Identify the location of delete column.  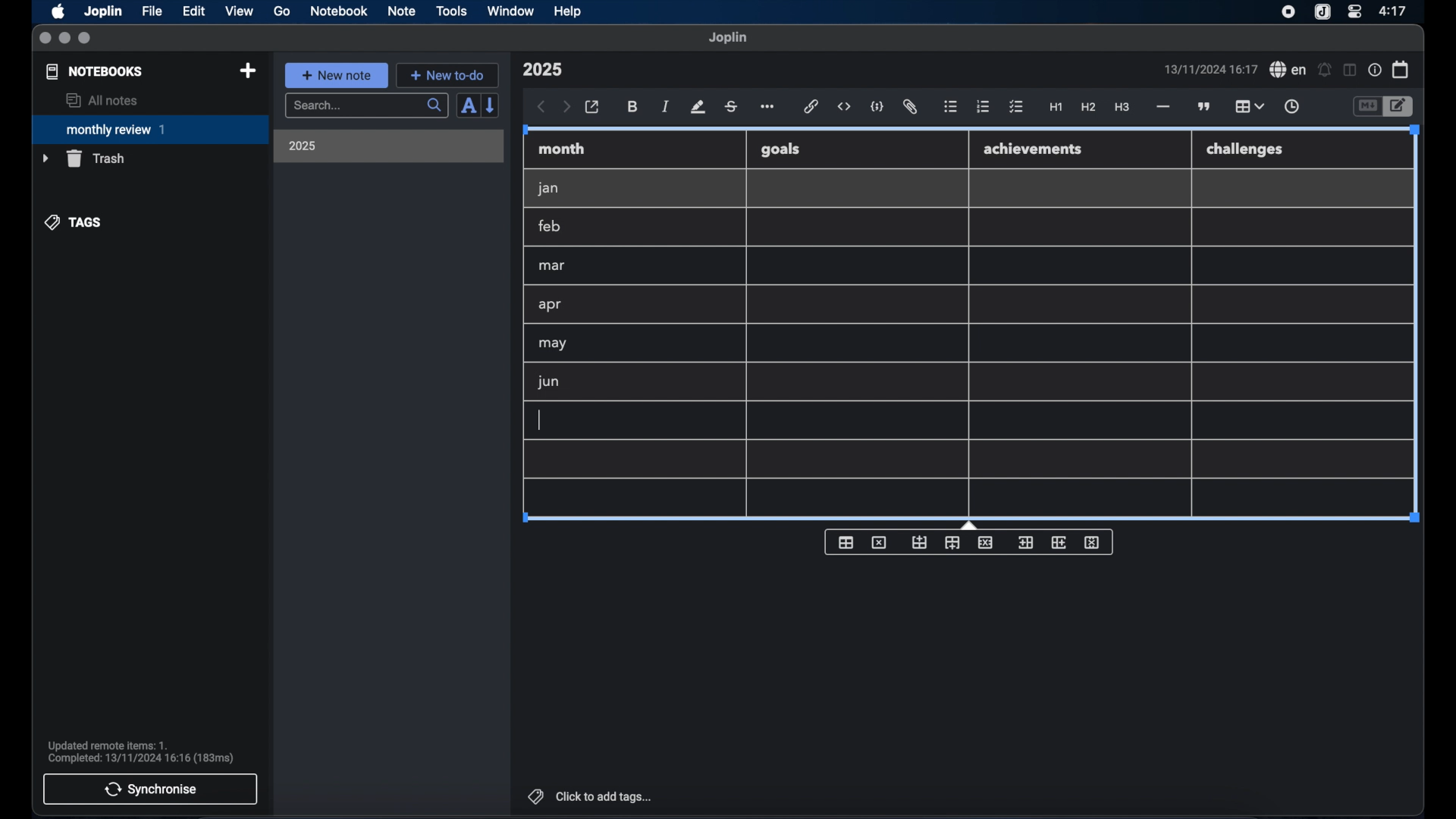
(1093, 543).